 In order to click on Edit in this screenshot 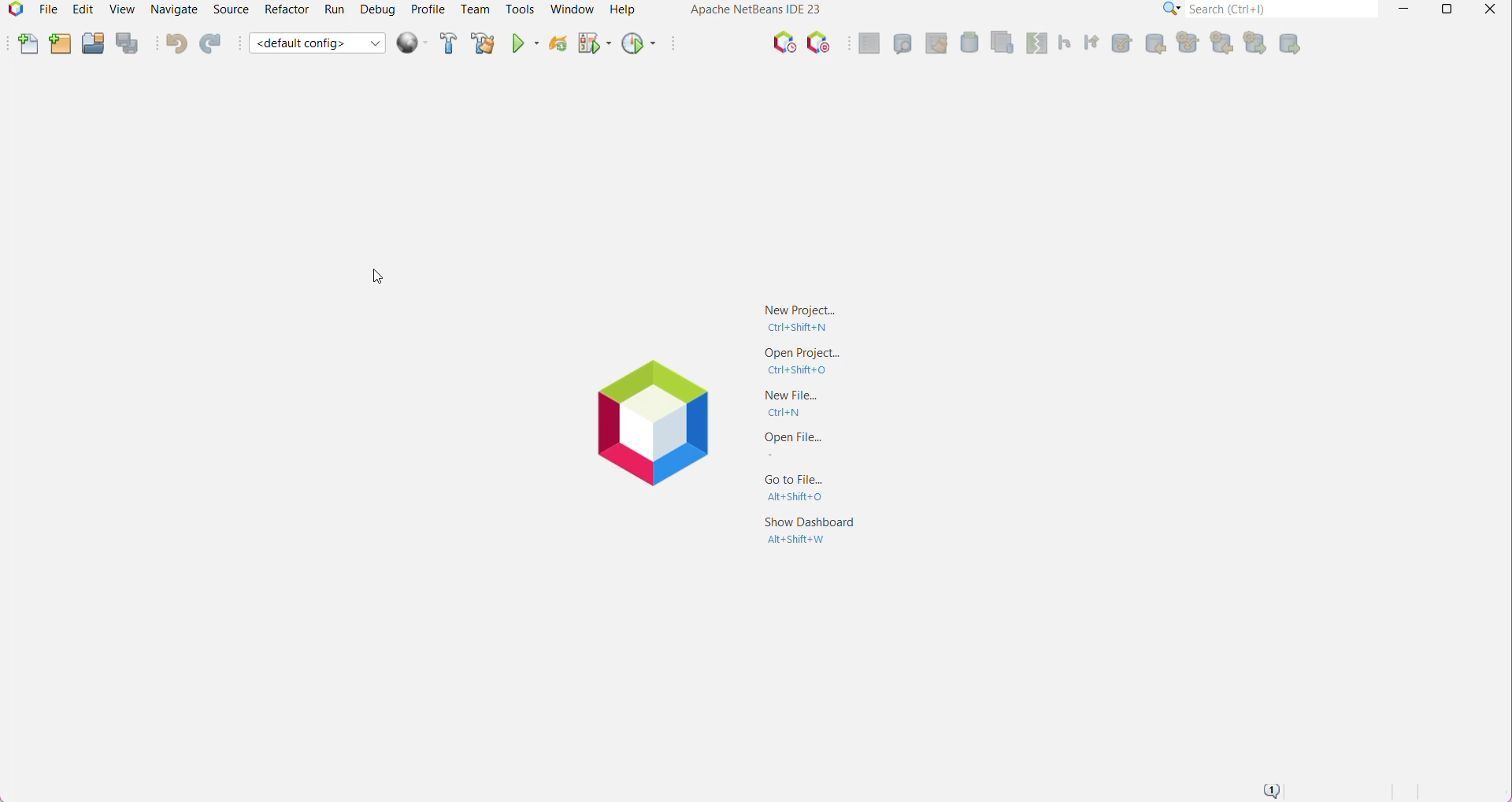, I will do `click(81, 9)`.